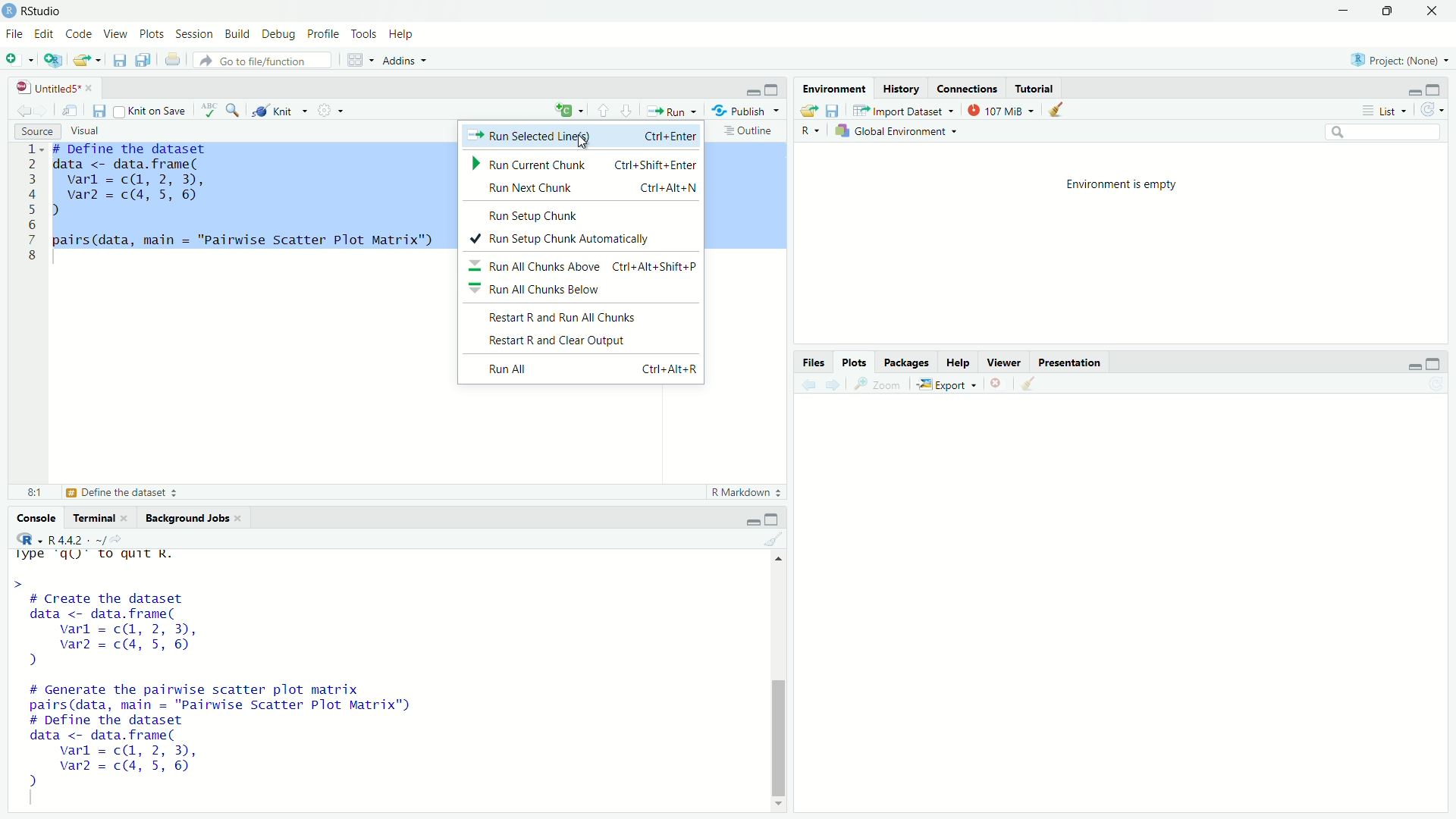 Image resolution: width=1456 pixels, height=819 pixels. I want to click on Help, so click(400, 32).